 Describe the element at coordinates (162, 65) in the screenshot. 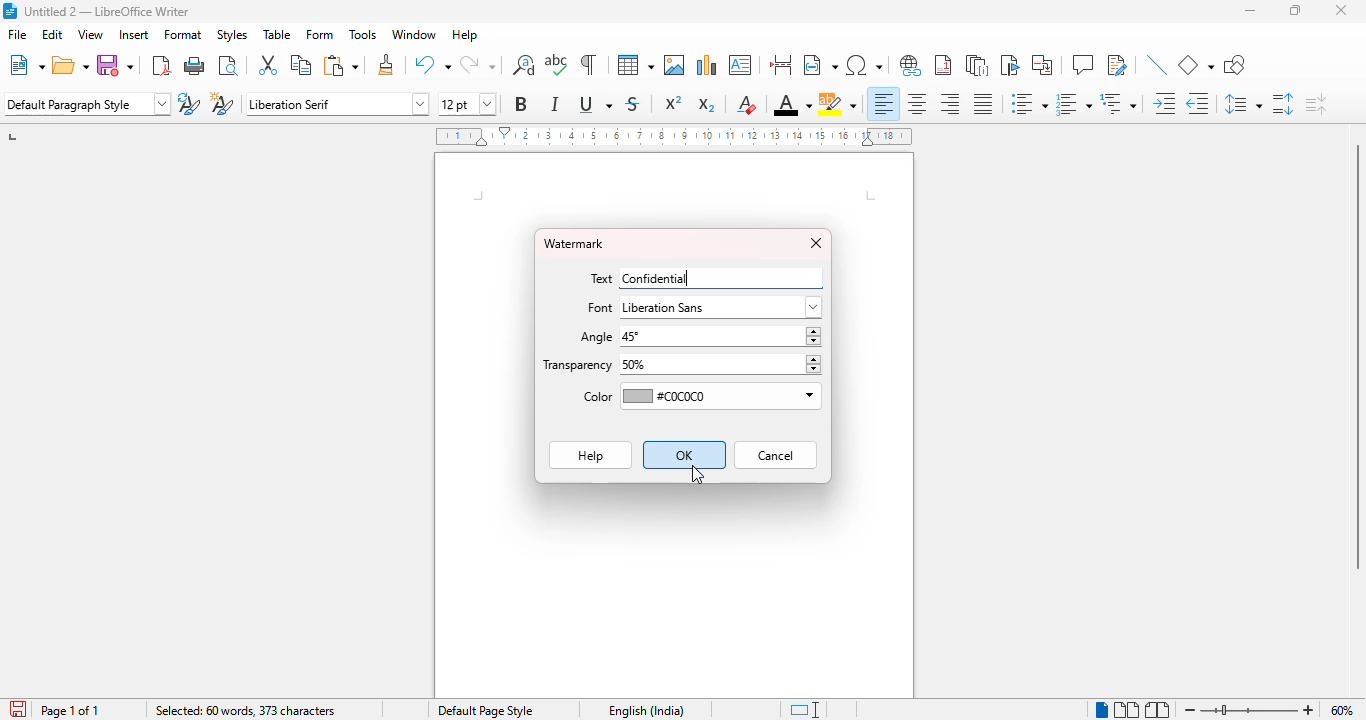

I see `export directly as PDF` at that location.